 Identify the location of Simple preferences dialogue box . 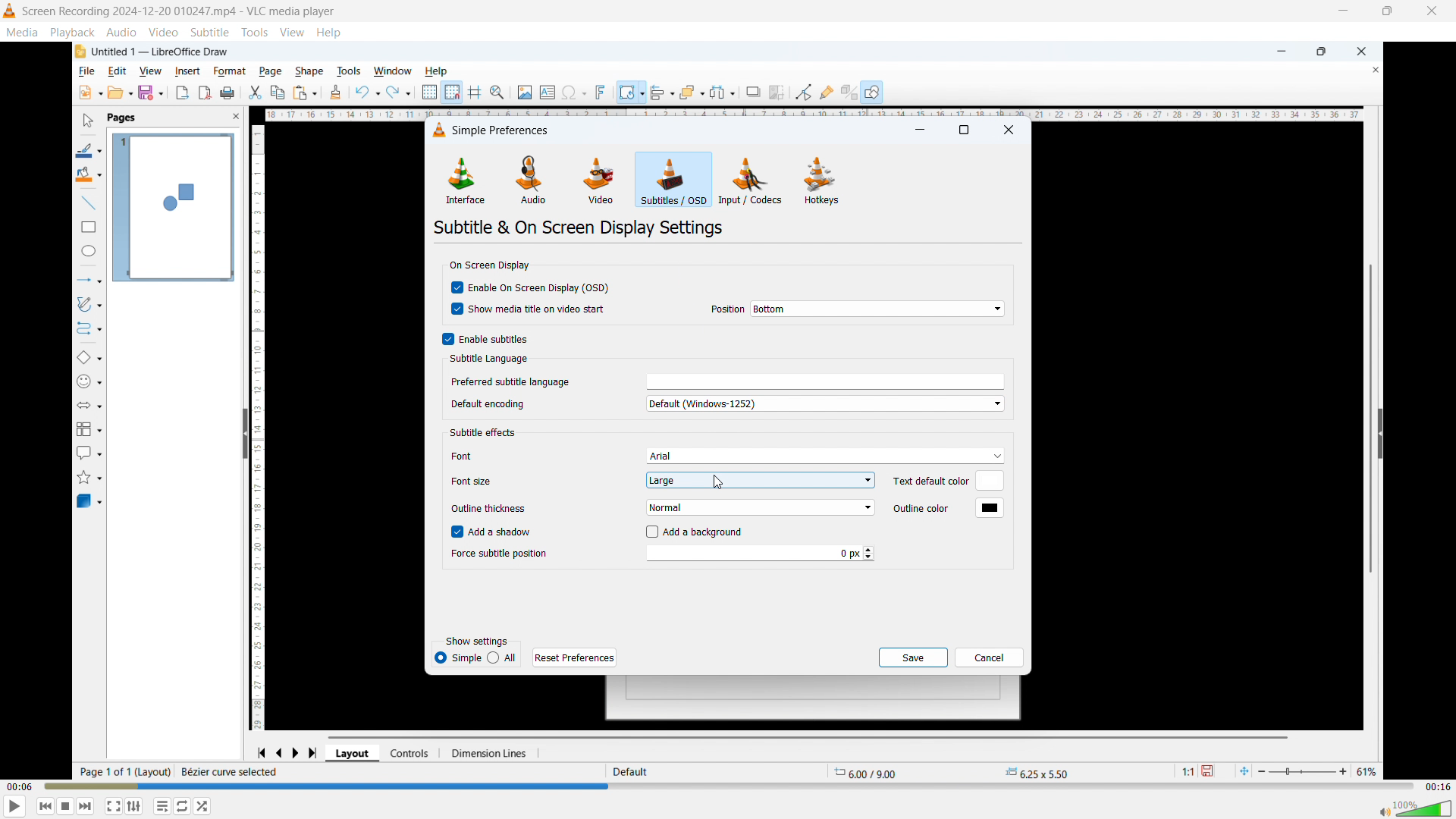
(500, 131).